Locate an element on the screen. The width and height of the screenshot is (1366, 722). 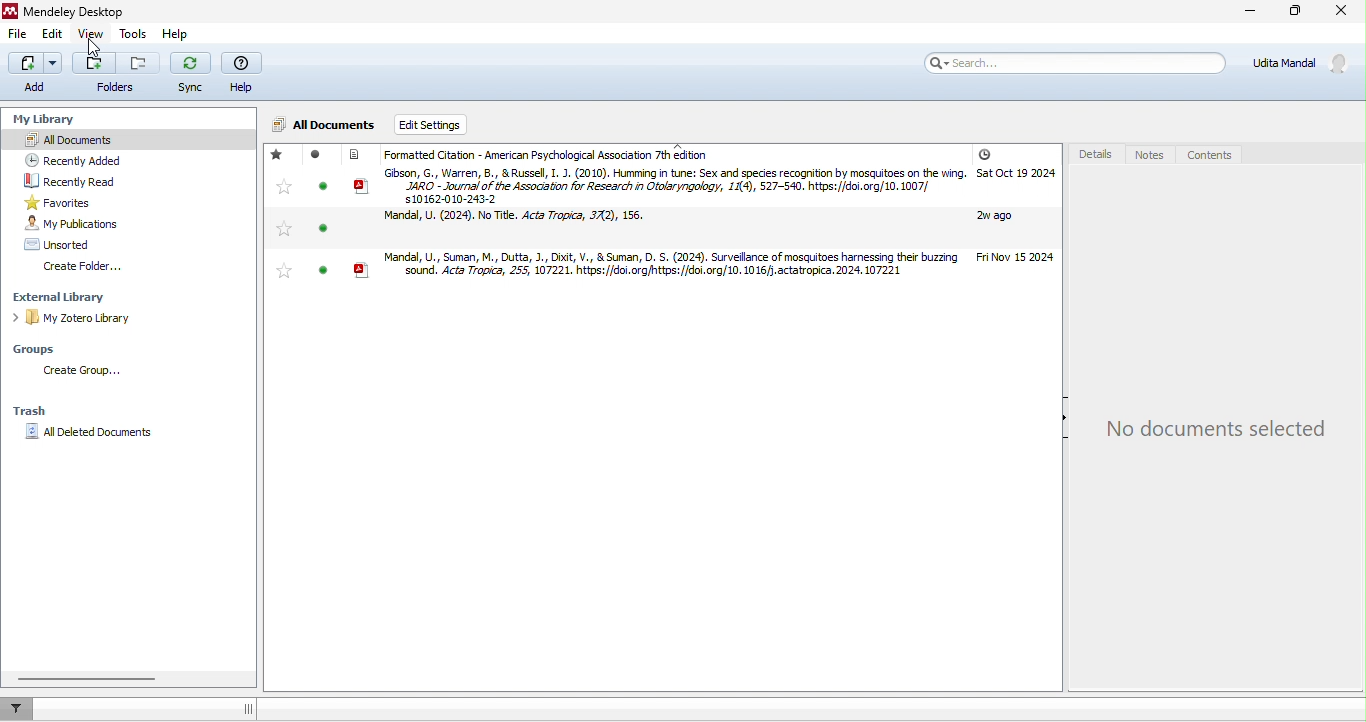
favourites is located at coordinates (281, 218).